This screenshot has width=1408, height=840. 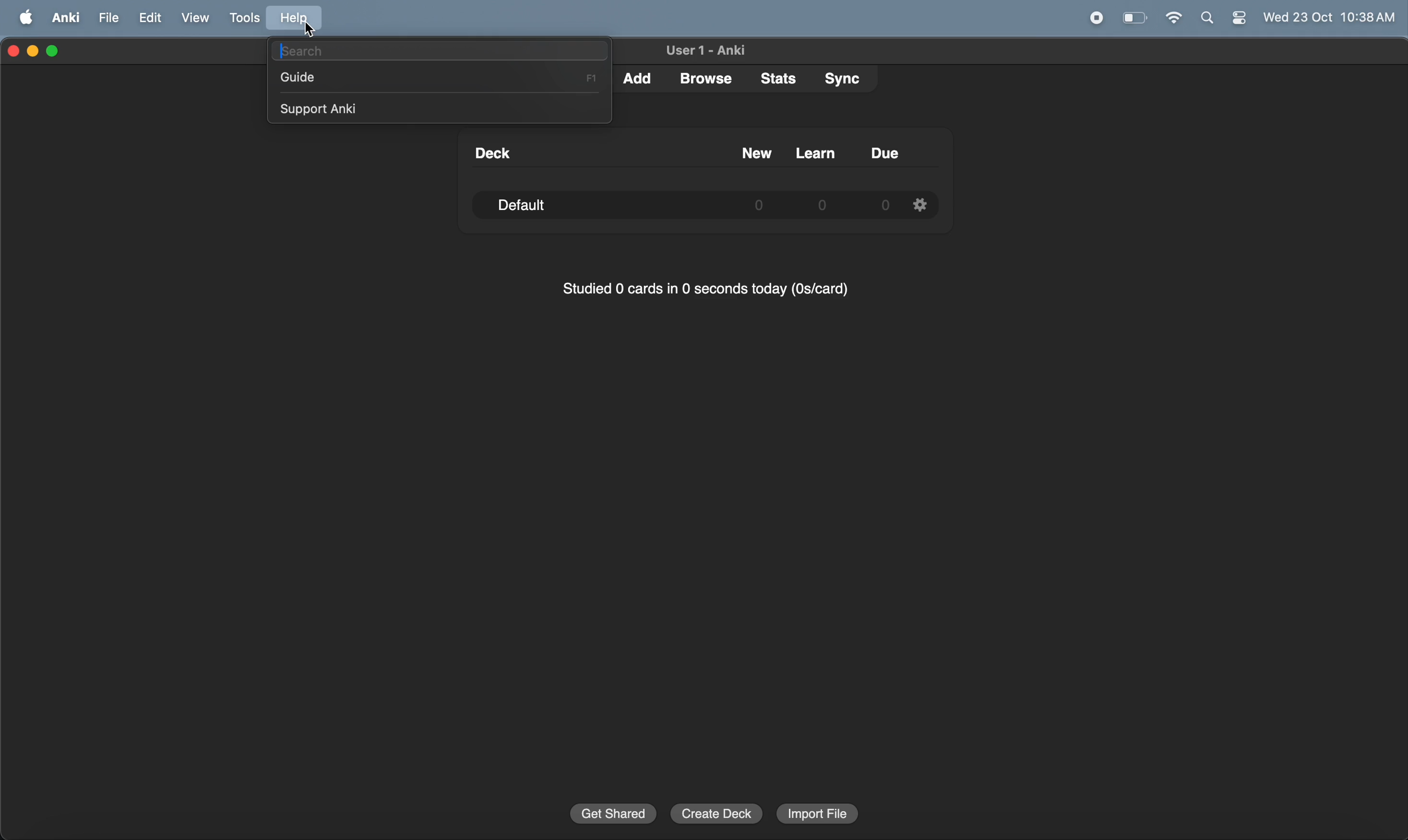 What do you see at coordinates (756, 153) in the screenshot?
I see `new` at bounding box center [756, 153].